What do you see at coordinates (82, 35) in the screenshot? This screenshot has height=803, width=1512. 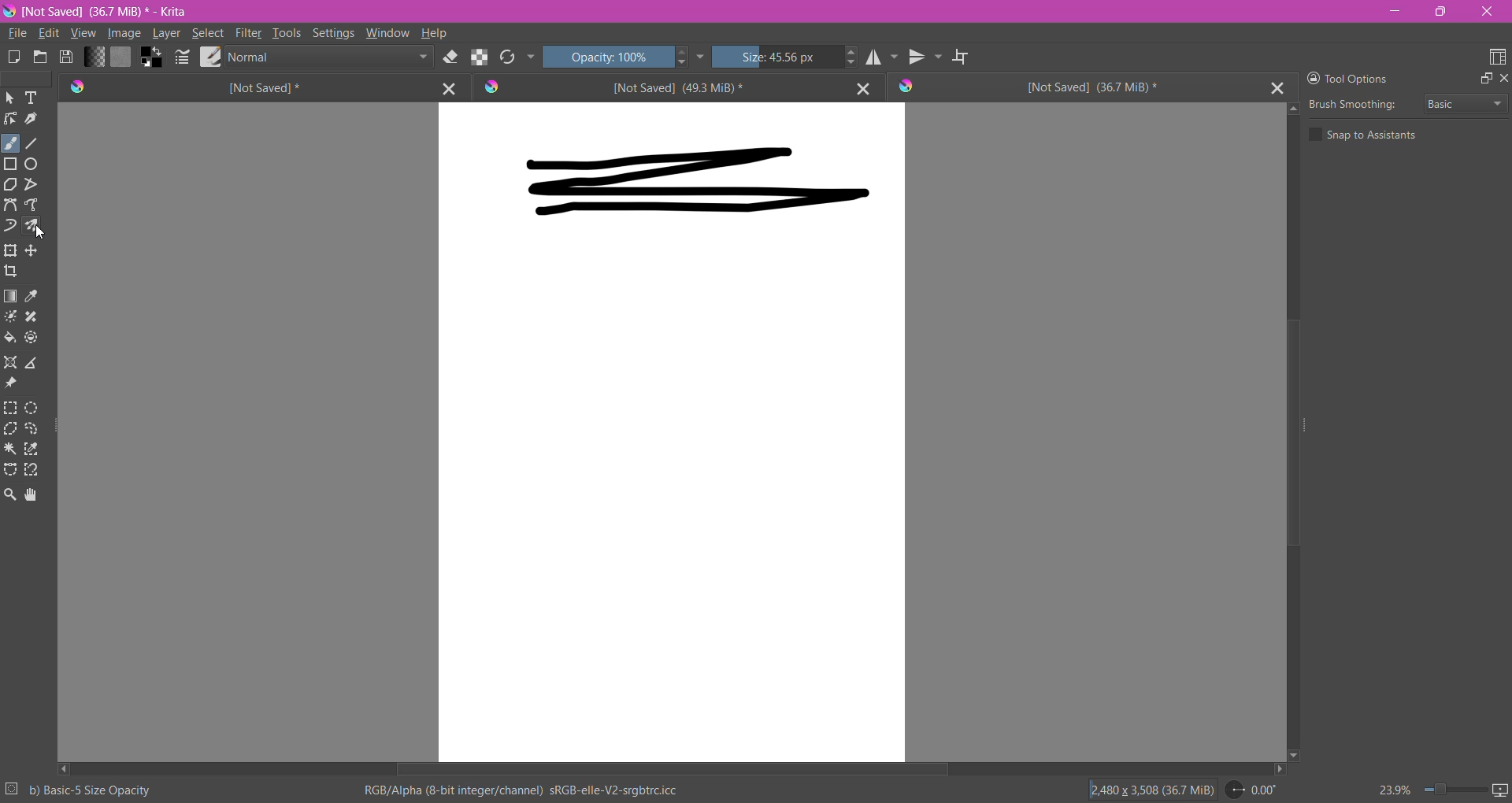 I see `View` at bounding box center [82, 35].